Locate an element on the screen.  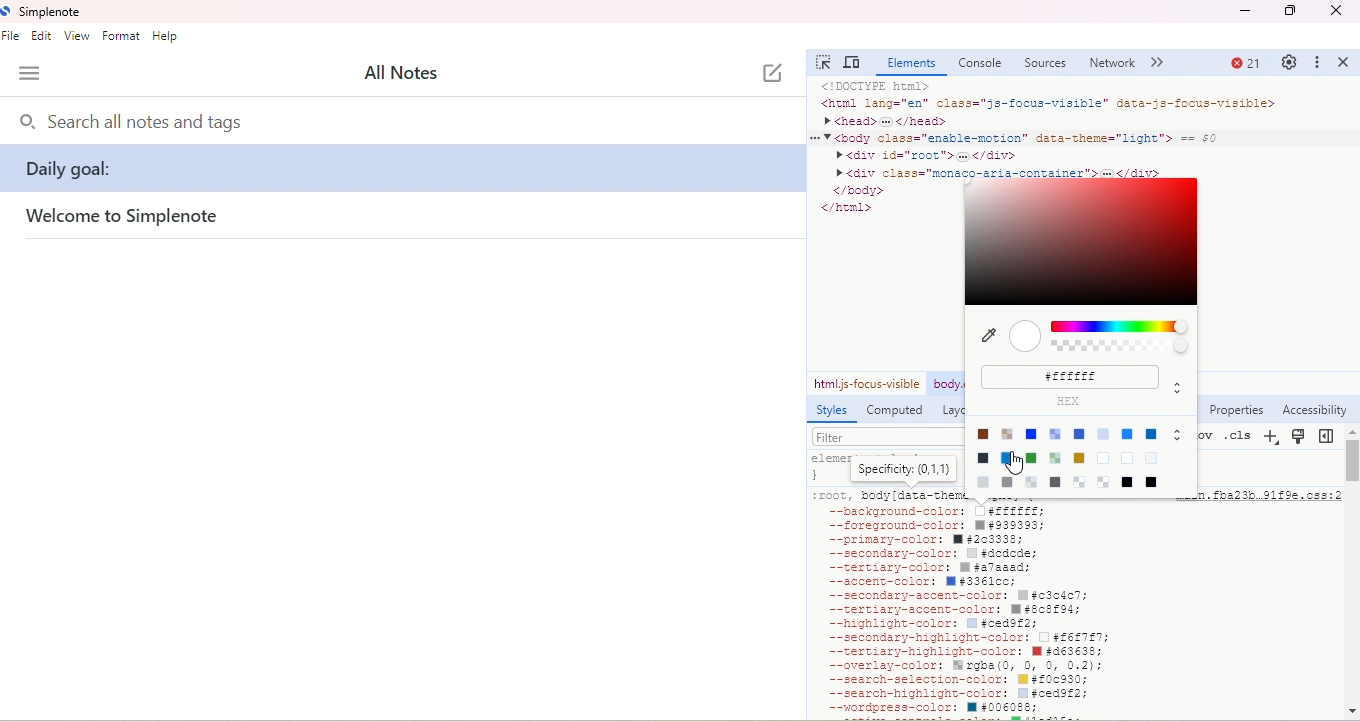
customize and control dev tools is located at coordinates (1318, 63).